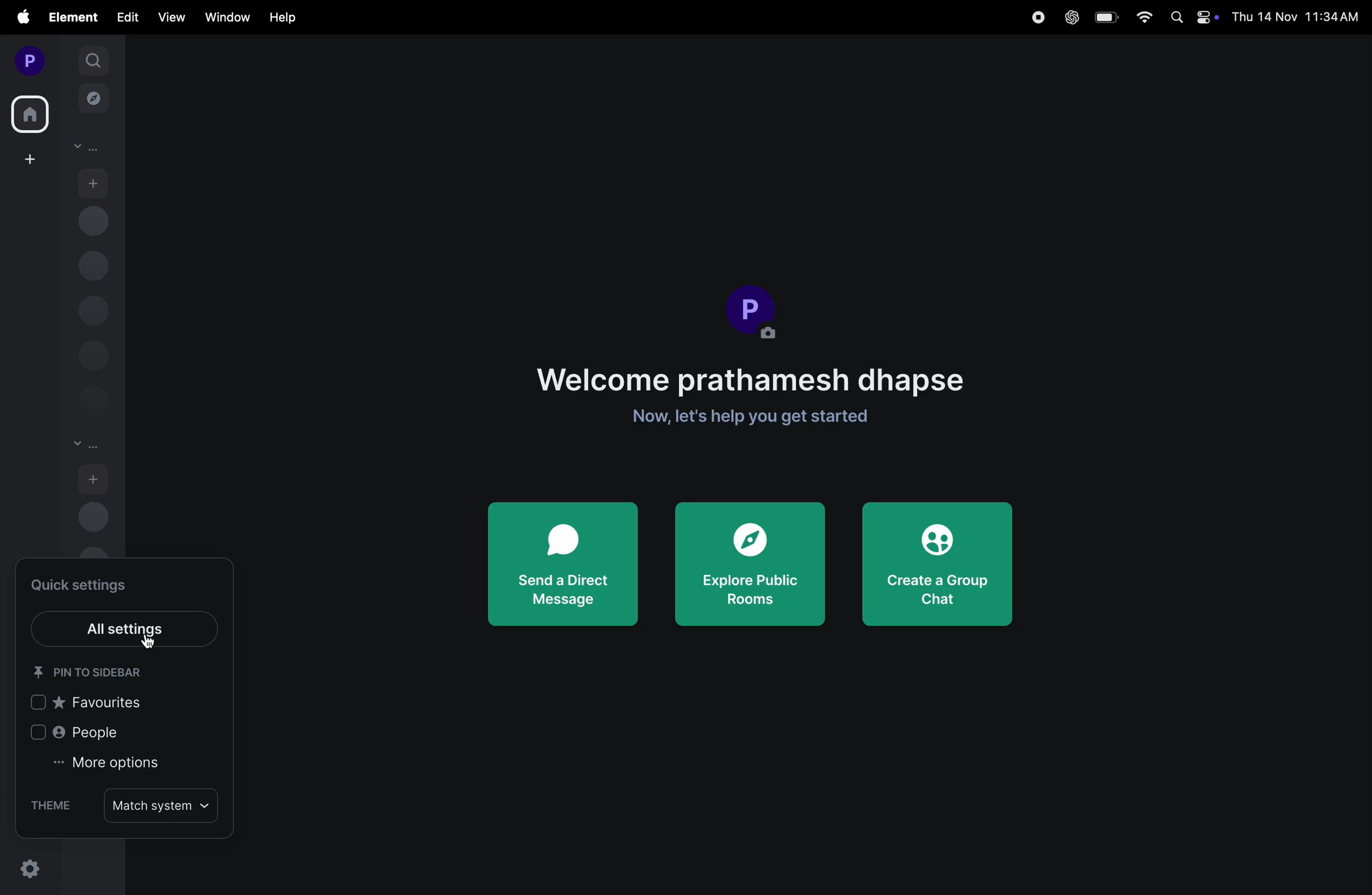  I want to click on Welcome prathamesh dhapse
Now, let's help you get started, so click(754, 398).